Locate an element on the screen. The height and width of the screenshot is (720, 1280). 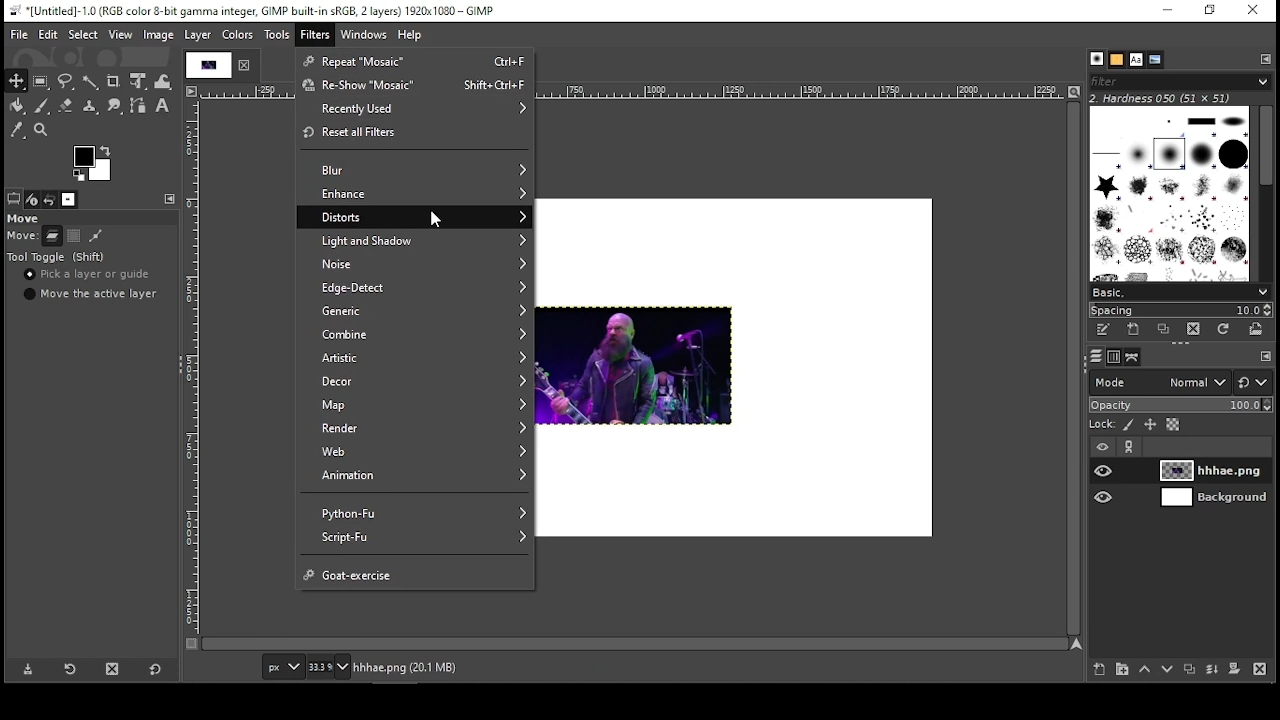
scroll bar is located at coordinates (1076, 368).